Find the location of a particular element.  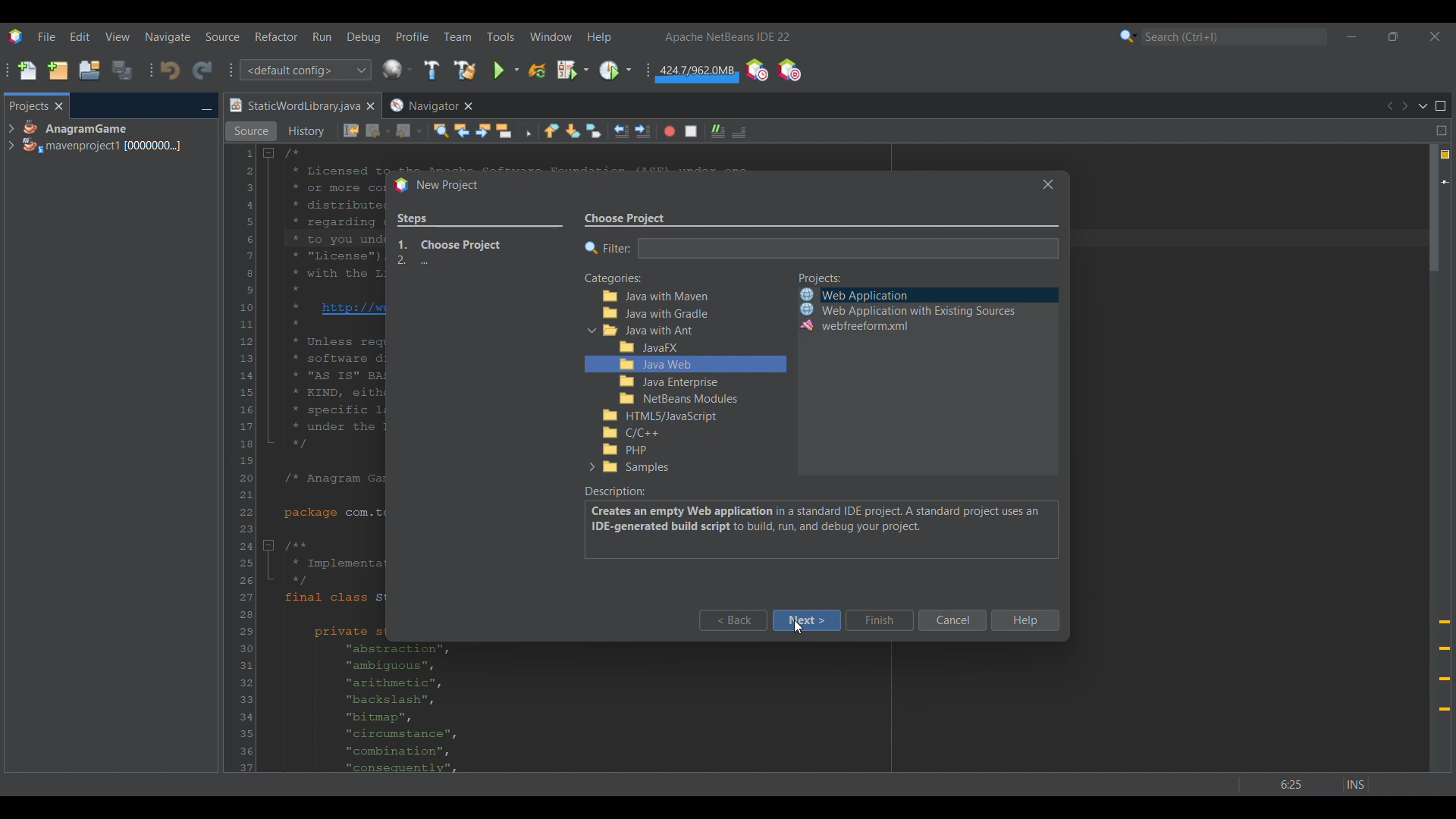

Section title and text is located at coordinates (820, 522).